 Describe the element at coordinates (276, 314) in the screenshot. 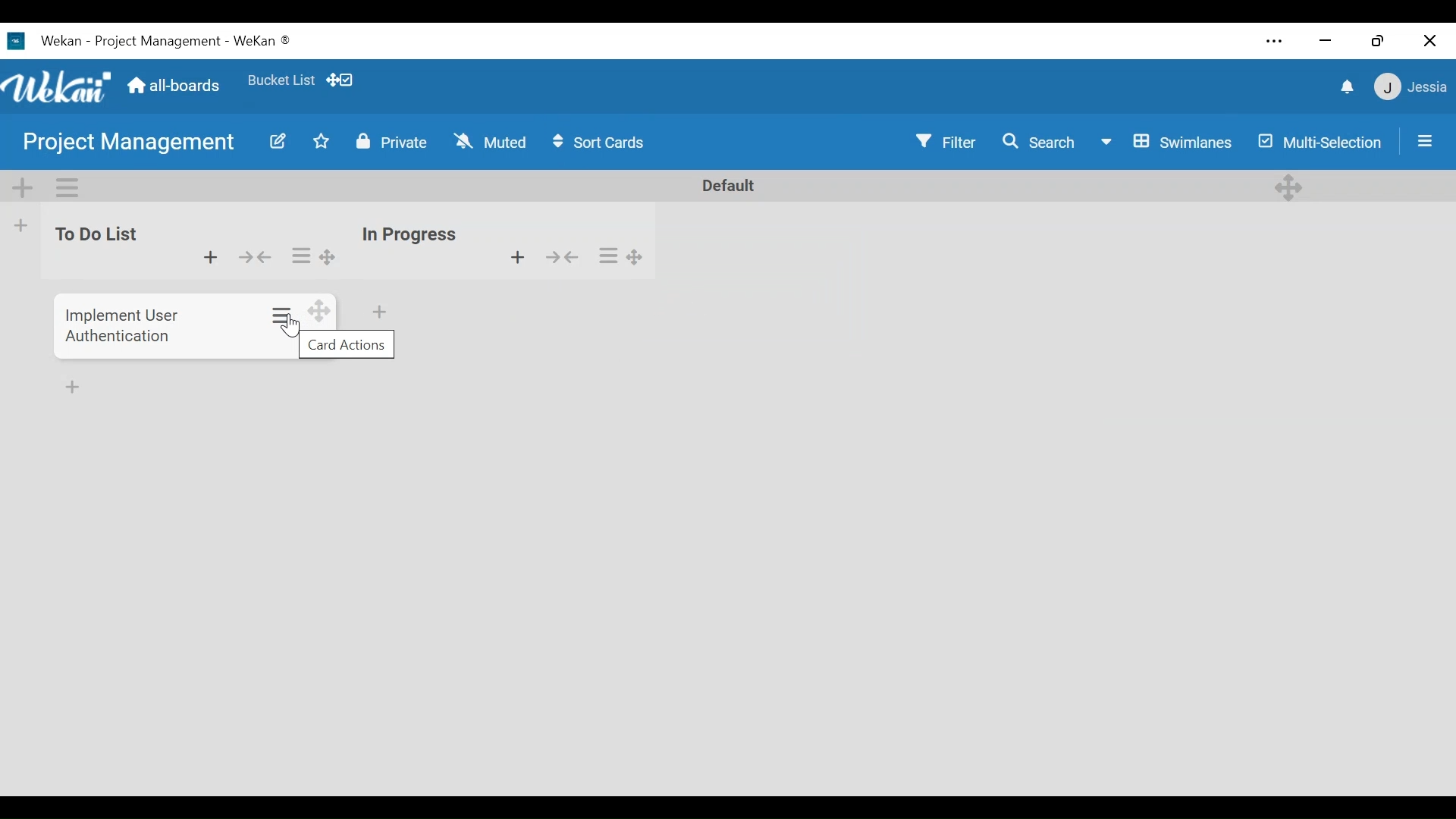

I see `options` at that location.